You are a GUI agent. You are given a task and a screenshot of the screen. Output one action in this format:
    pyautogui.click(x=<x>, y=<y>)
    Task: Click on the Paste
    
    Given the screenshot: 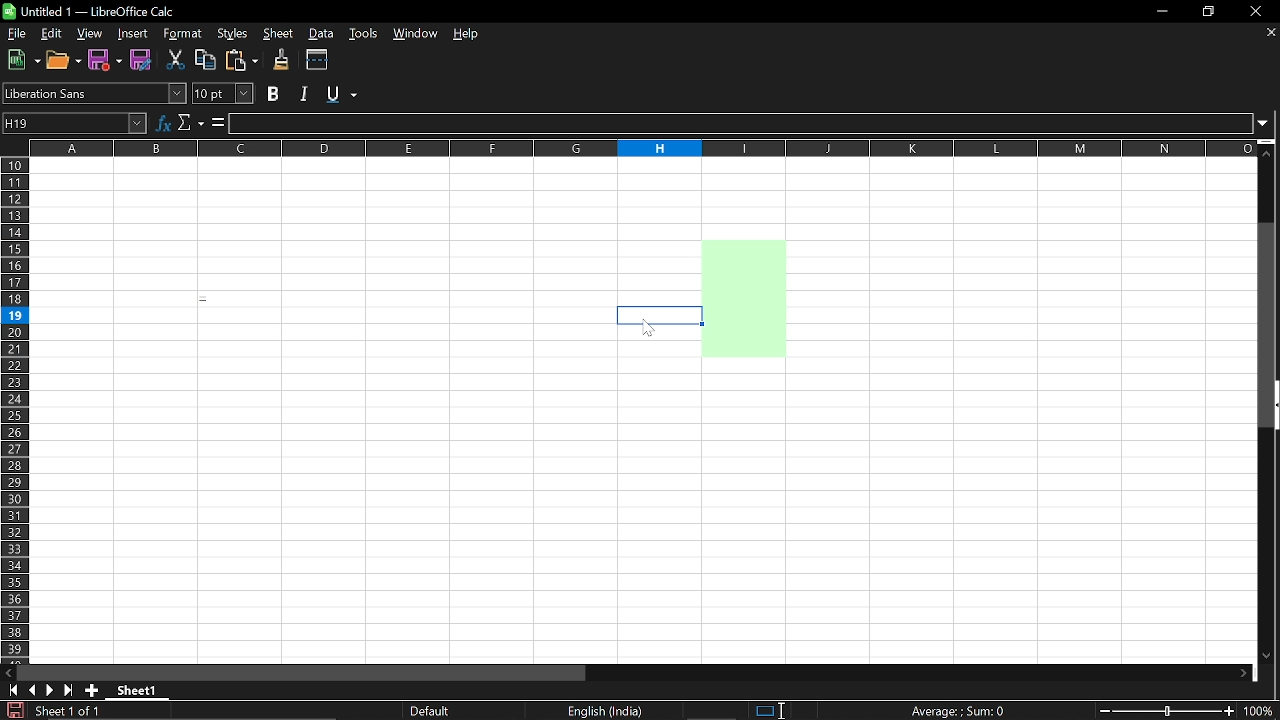 What is the action you would take?
    pyautogui.click(x=243, y=60)
    